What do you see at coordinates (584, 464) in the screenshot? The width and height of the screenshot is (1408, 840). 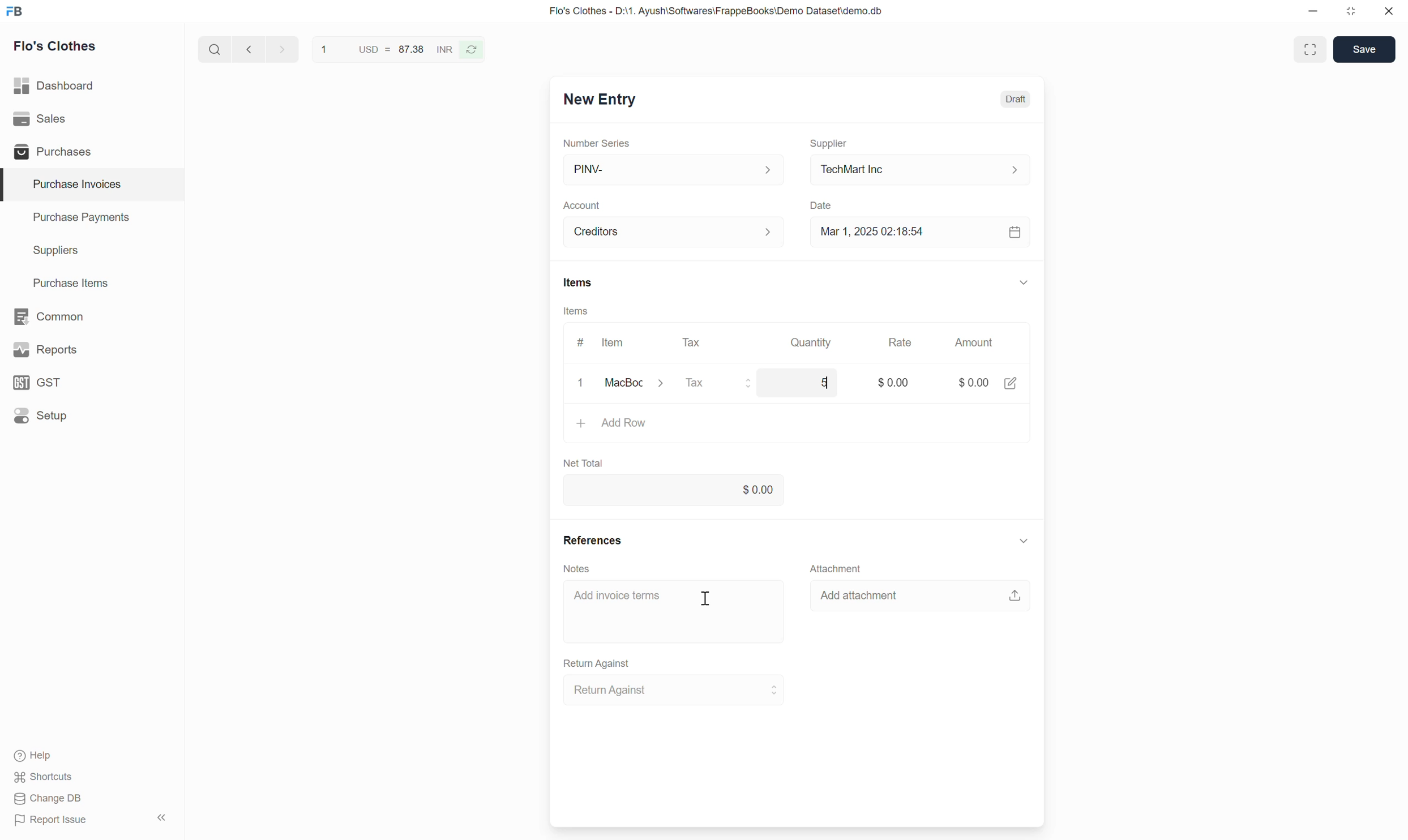 I see `Net Total` at bounding box center [584, 464].